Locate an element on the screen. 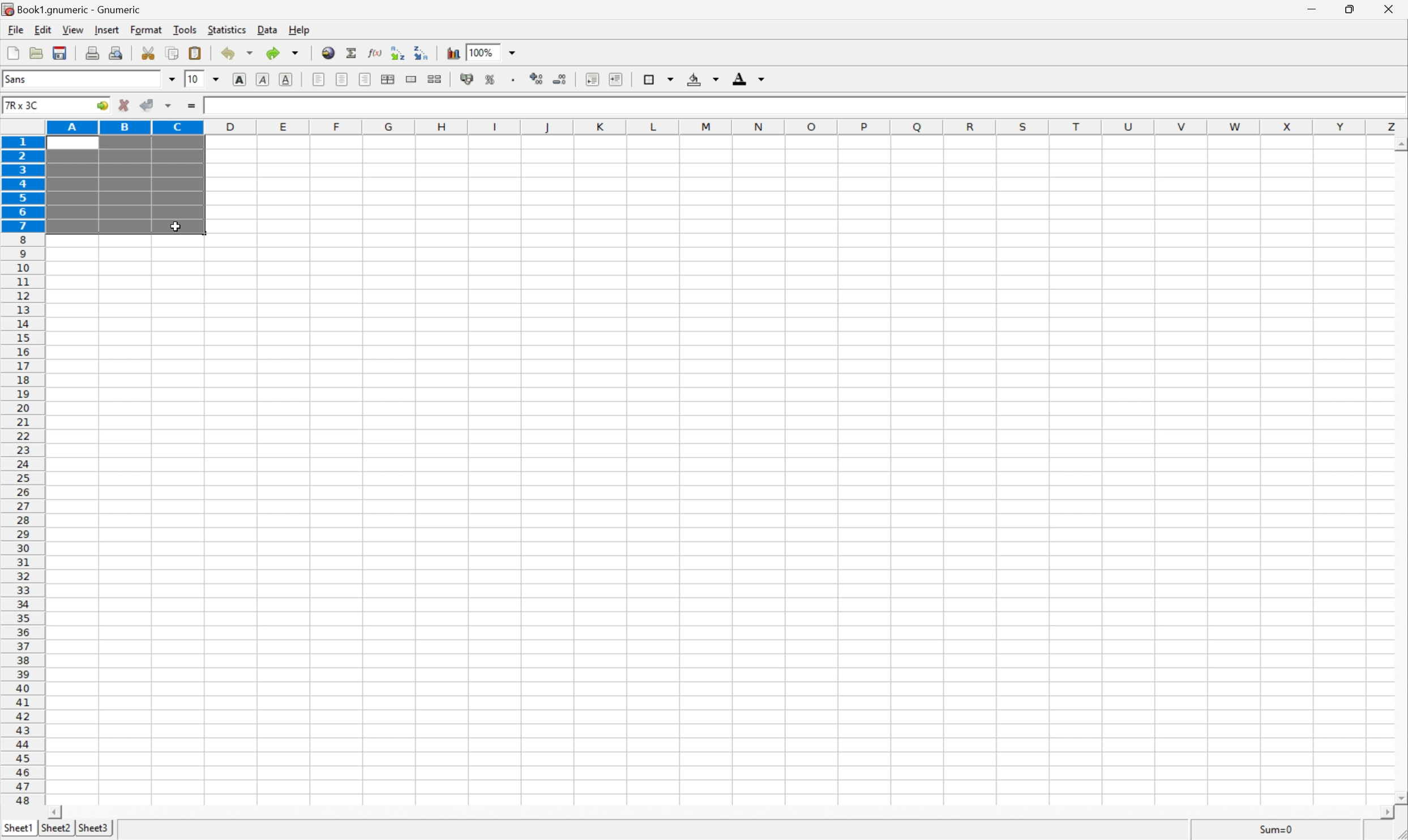  font name - Sans is located at coordinates (87, 80).